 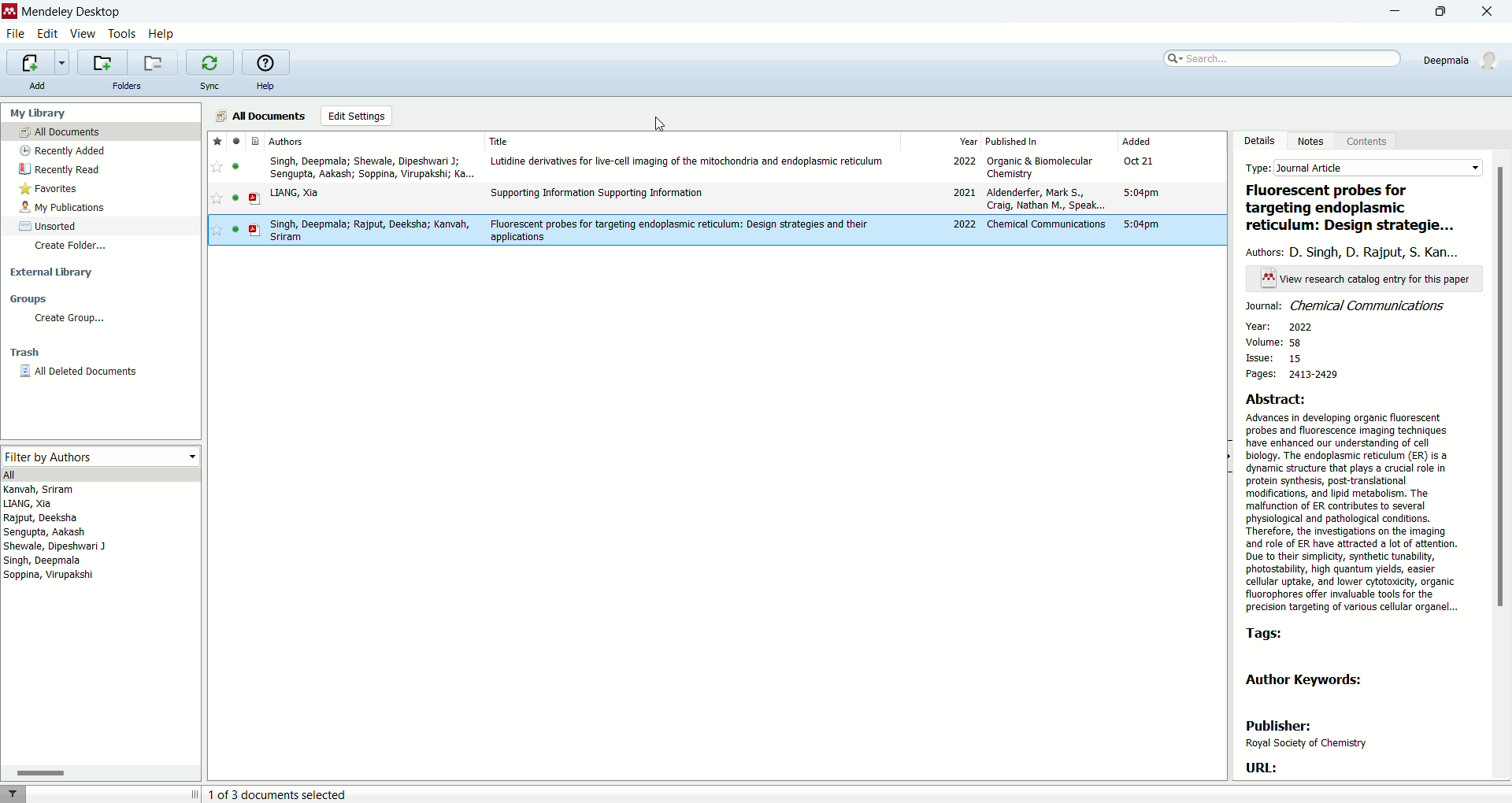 I want to click on Organic & Biomolecular Chemistry, so click(x=1041, y=167).